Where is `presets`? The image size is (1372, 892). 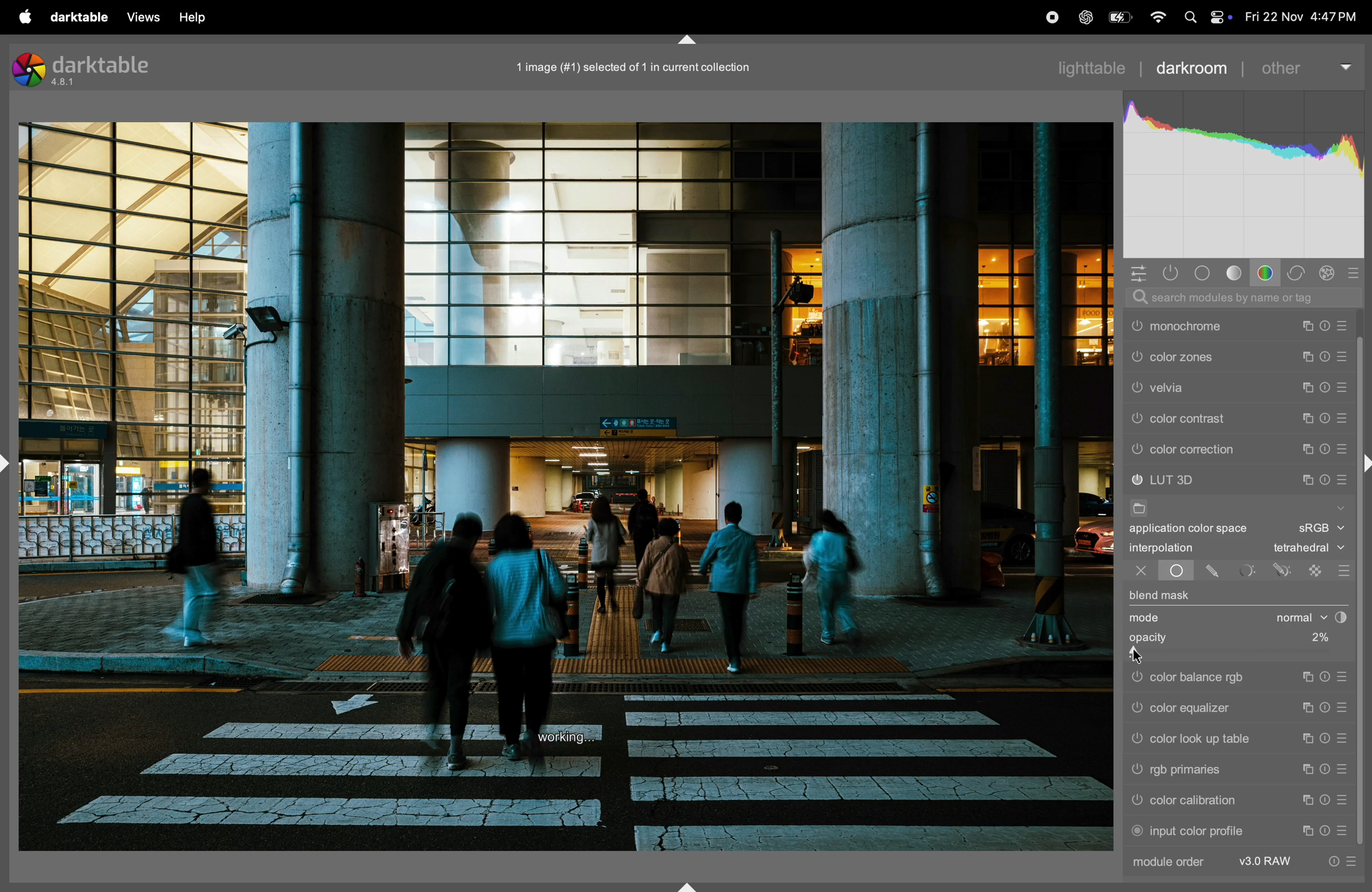 presets is located at coordinates (1344, 384).